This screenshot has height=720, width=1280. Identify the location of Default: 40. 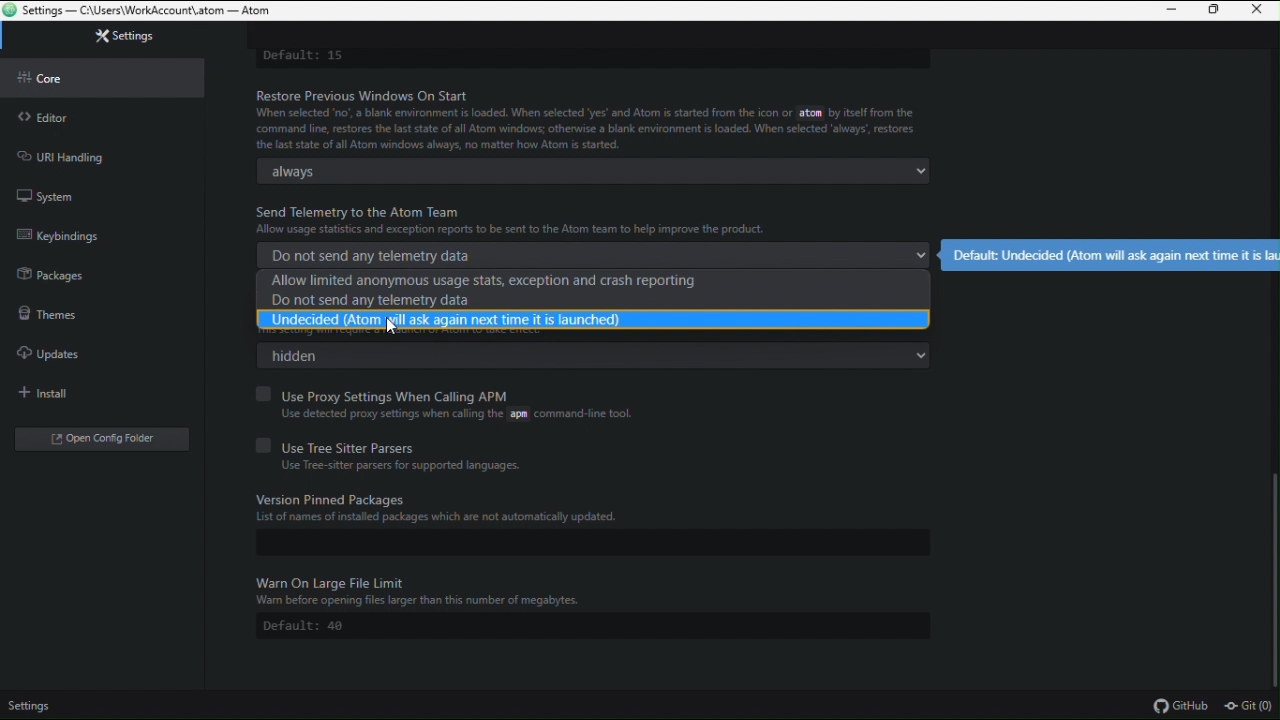
(307, 627).